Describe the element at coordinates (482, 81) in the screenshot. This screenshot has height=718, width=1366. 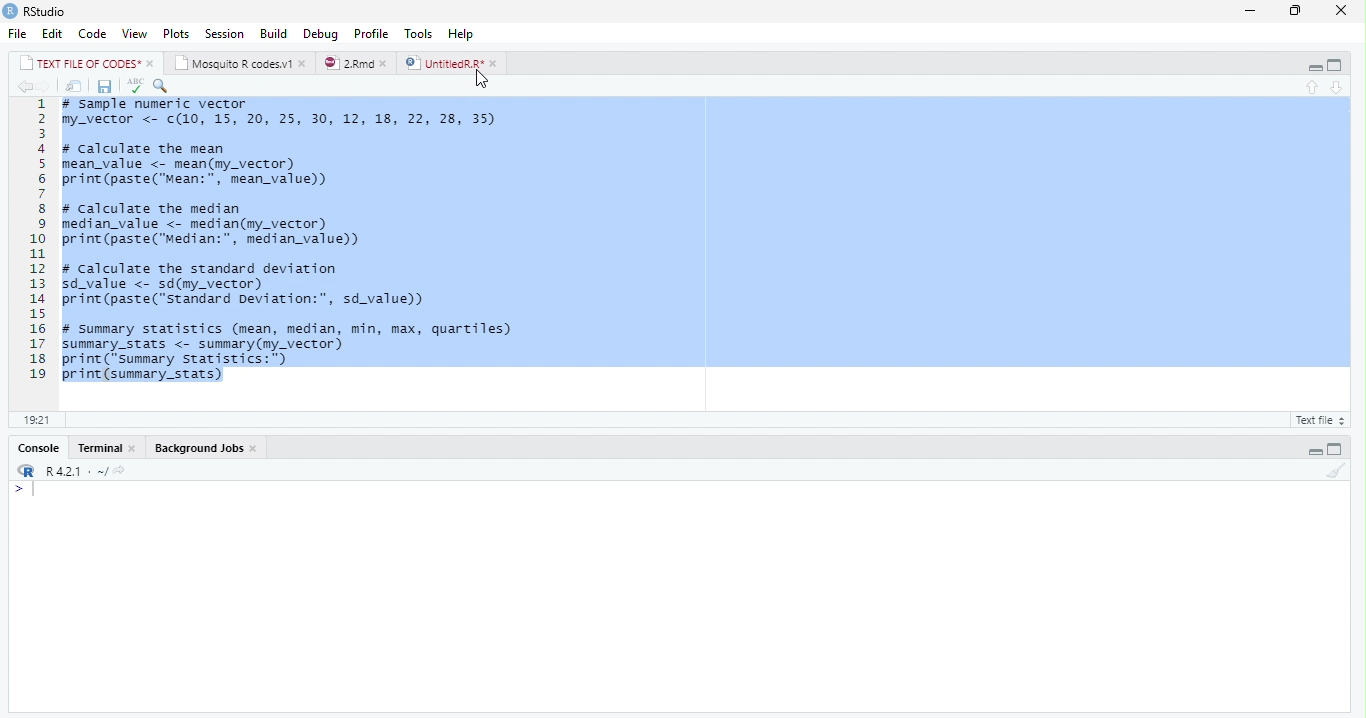
I see `cursor` at that location.